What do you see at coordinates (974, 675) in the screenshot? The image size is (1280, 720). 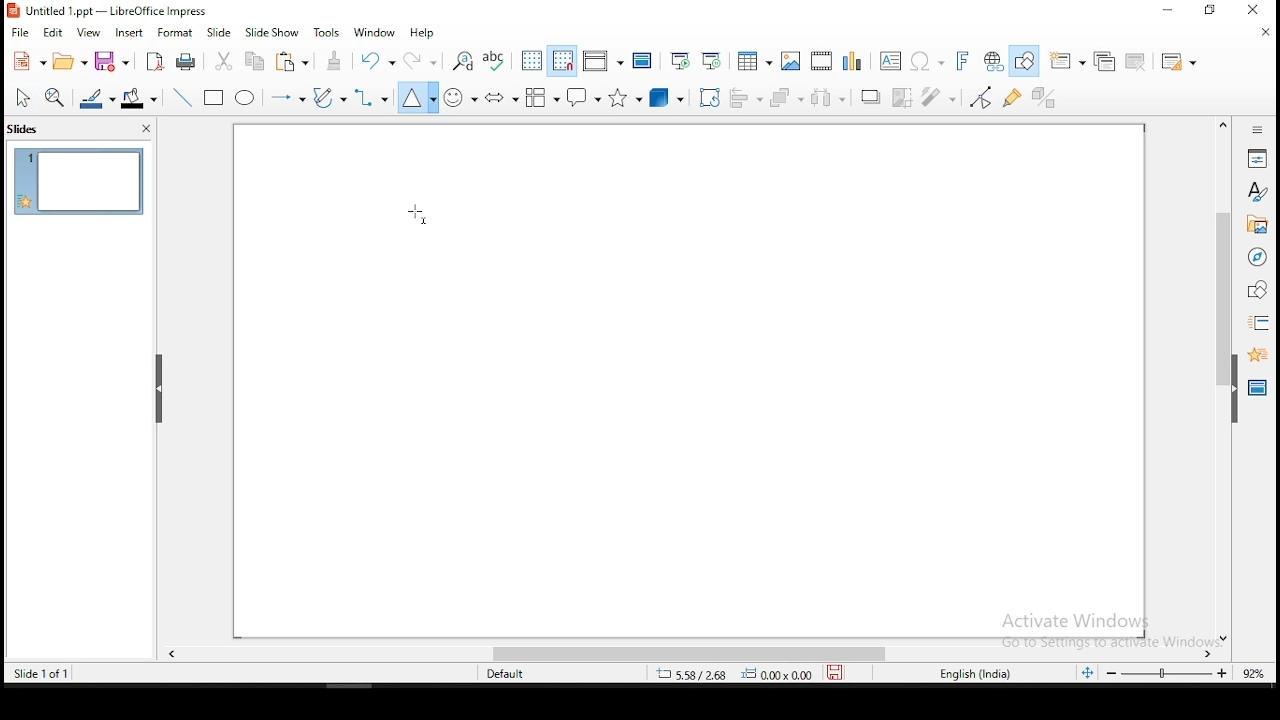 I see `English (India)` at bounding box center [974, 675].